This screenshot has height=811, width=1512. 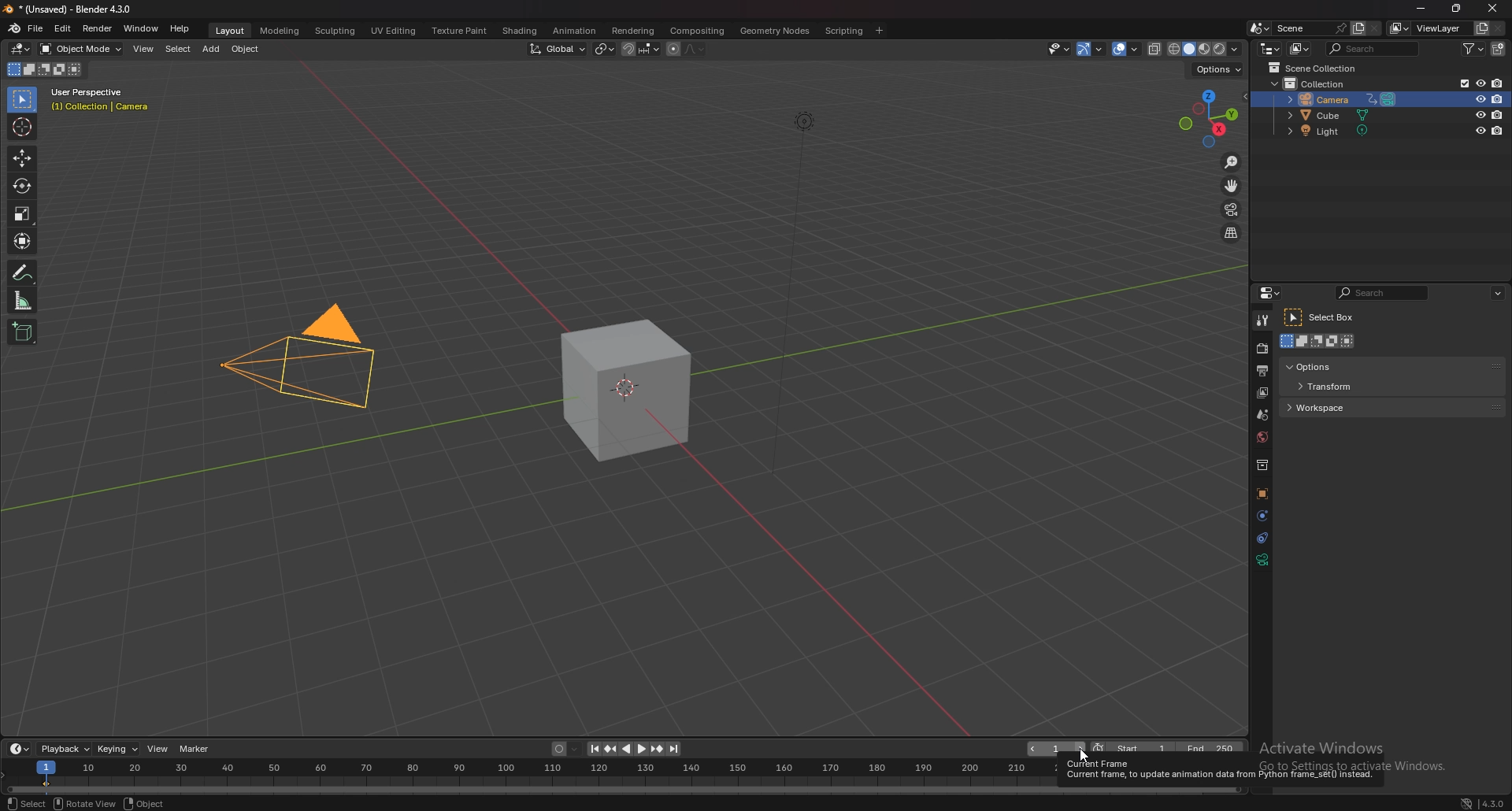 I want to click on mode, so click(x=44, y=69).